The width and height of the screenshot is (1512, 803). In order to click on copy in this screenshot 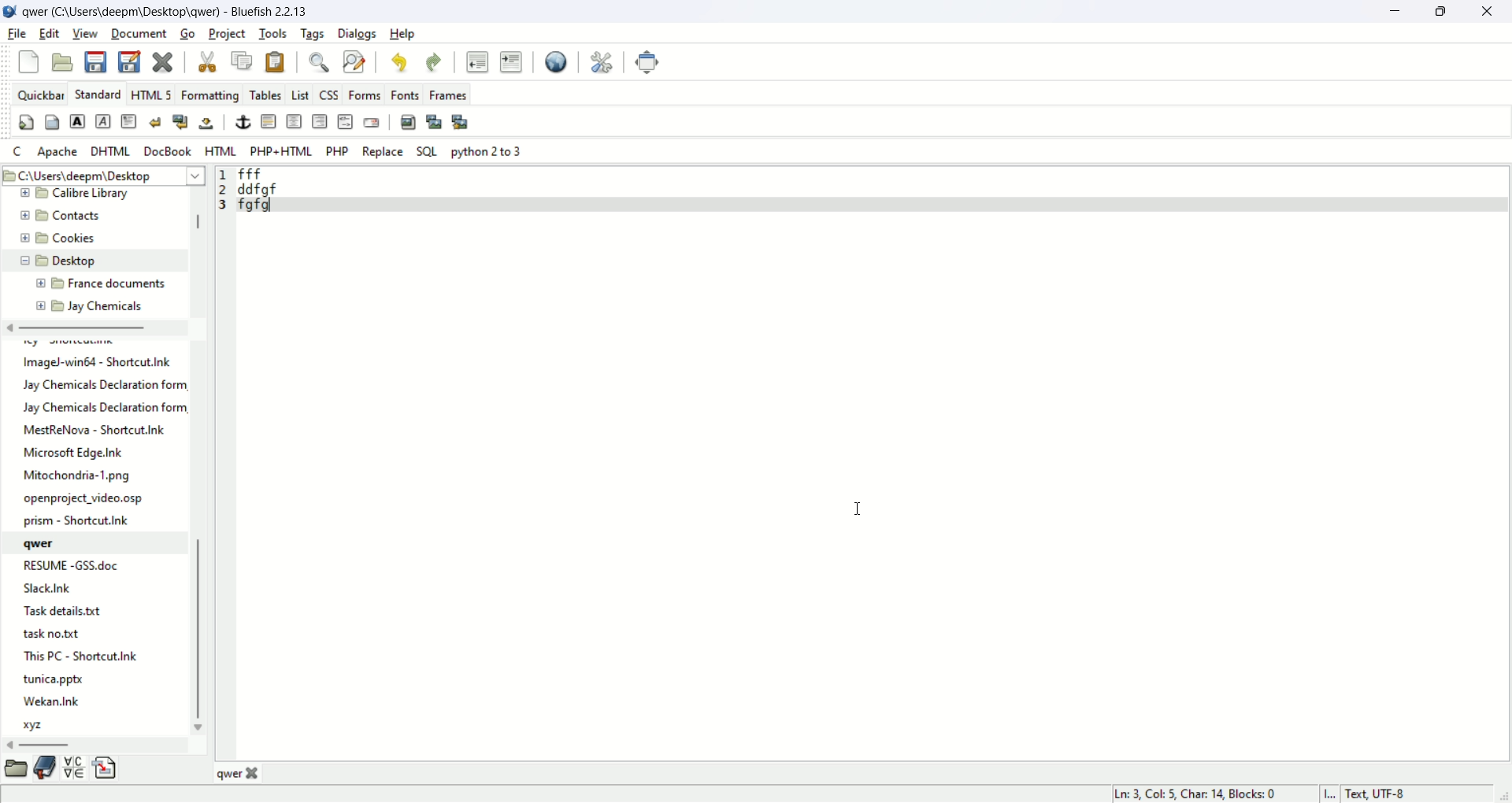, I will do `click(240, 58)`.